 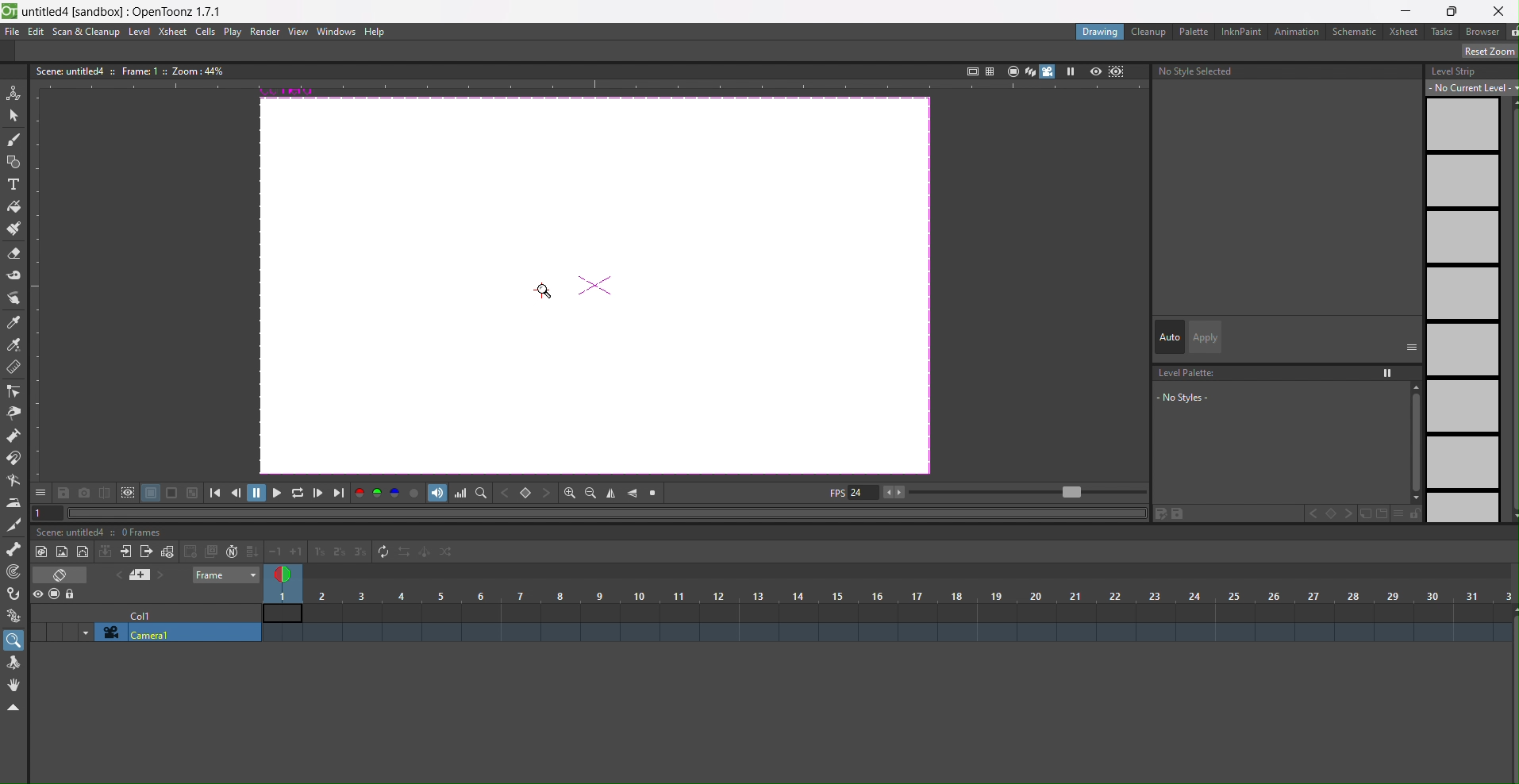 What do you see at coordinates (285, 575) in the screenshot?
I see `frame selector` at bounding box center [285, 575].